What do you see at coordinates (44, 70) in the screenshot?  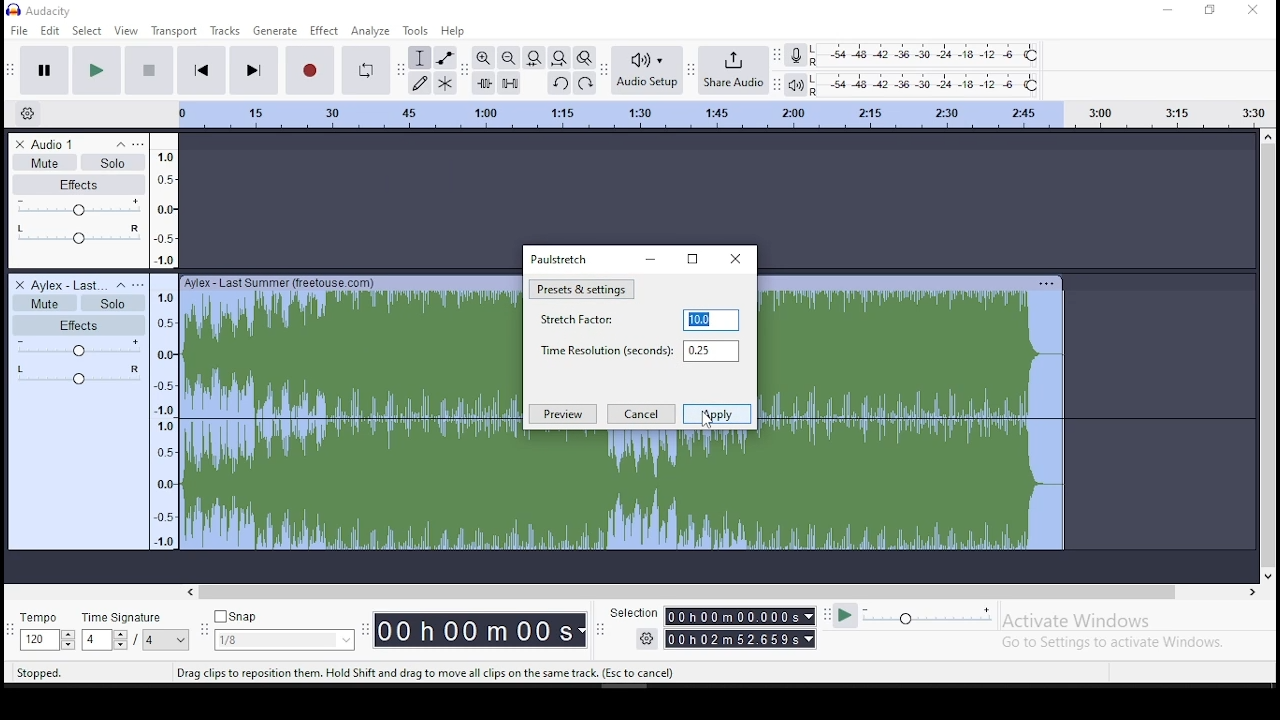 I see `pause` at bounding box center [44, 70].